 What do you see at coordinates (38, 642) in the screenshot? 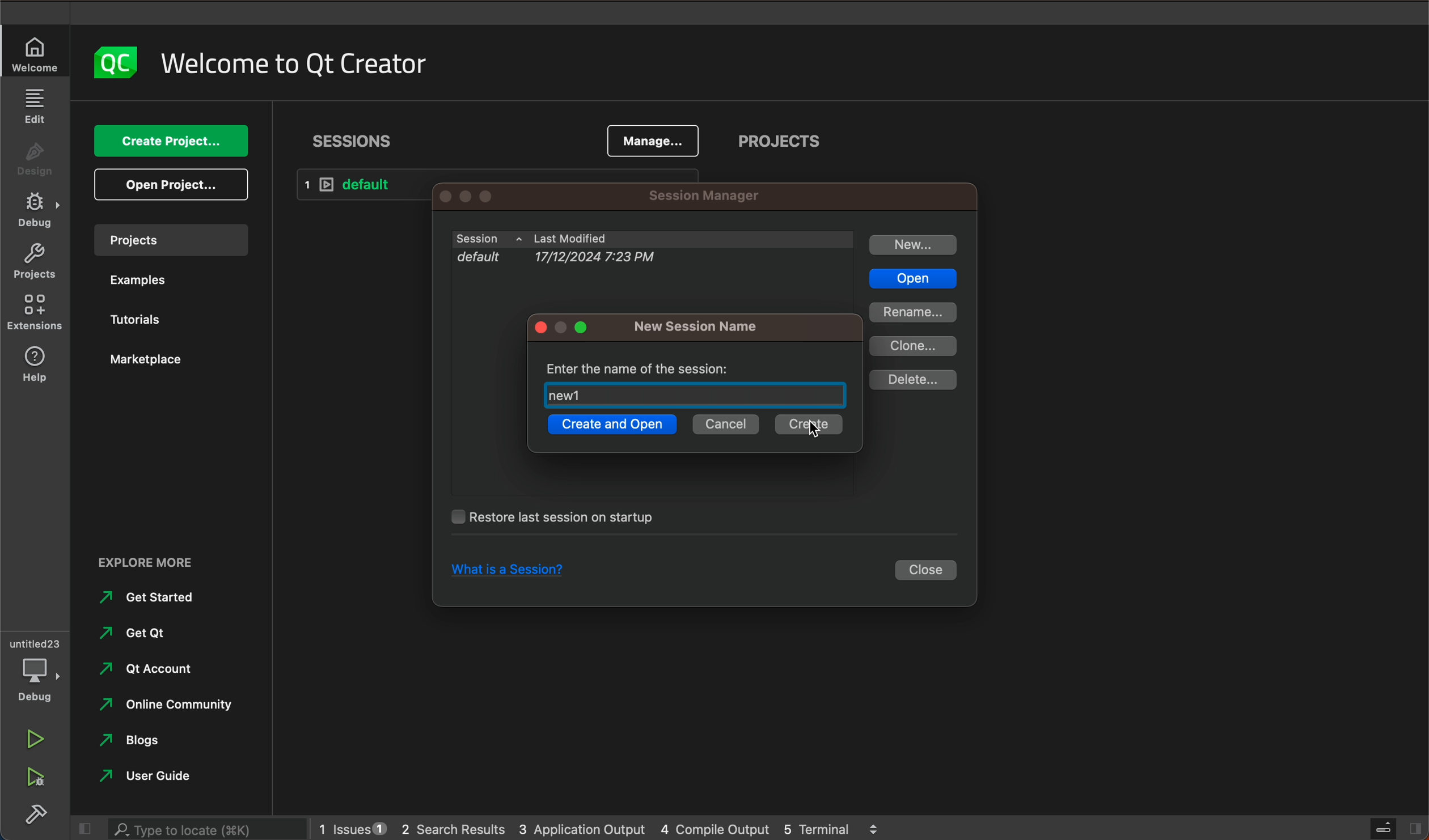
I see `untitles` at bounding box center [38, 642].